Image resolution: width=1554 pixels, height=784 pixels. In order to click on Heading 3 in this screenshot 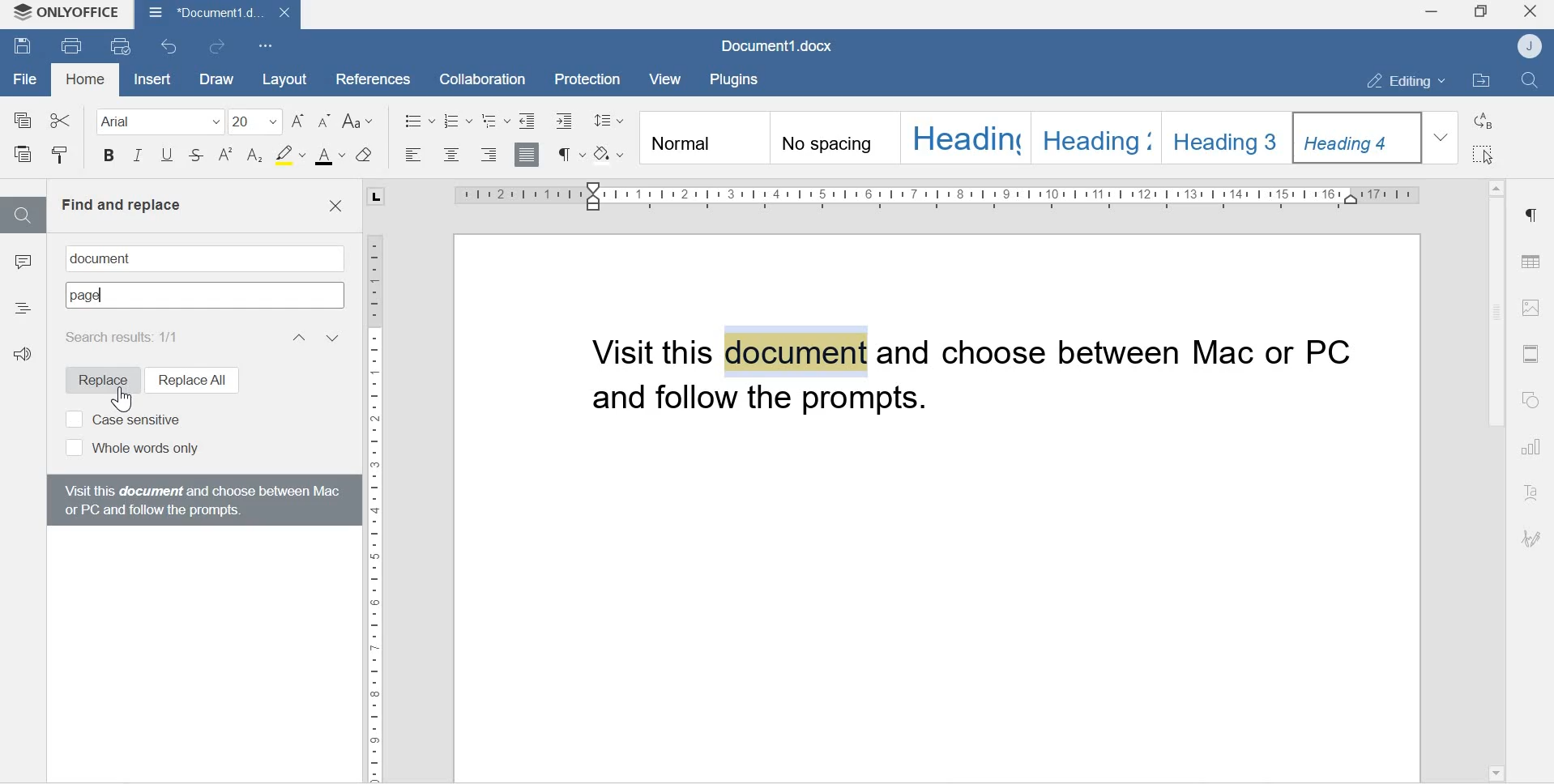, I will do `click(1229, 135)`.